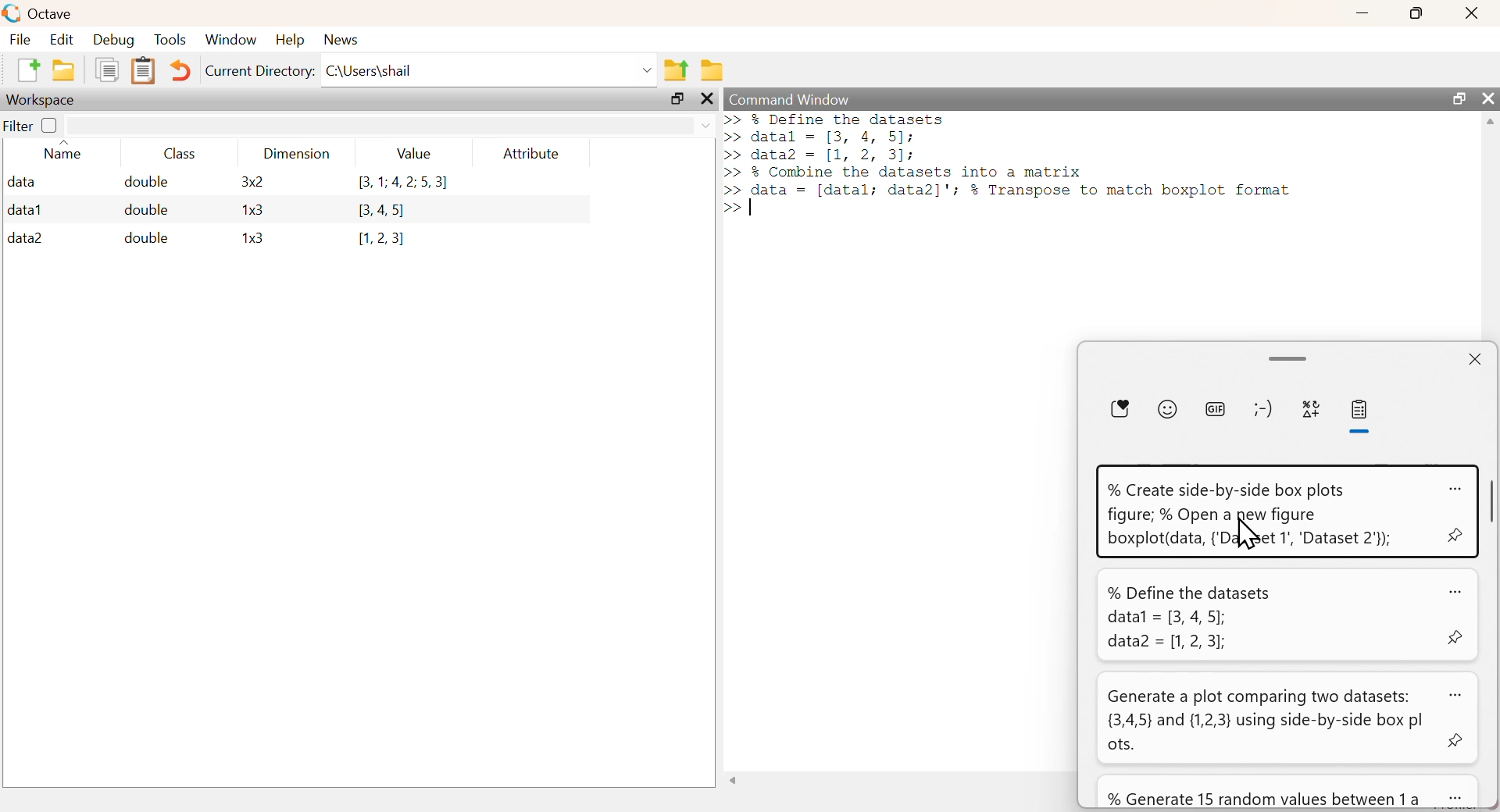  I want to click on pin, so click(1455, 538).